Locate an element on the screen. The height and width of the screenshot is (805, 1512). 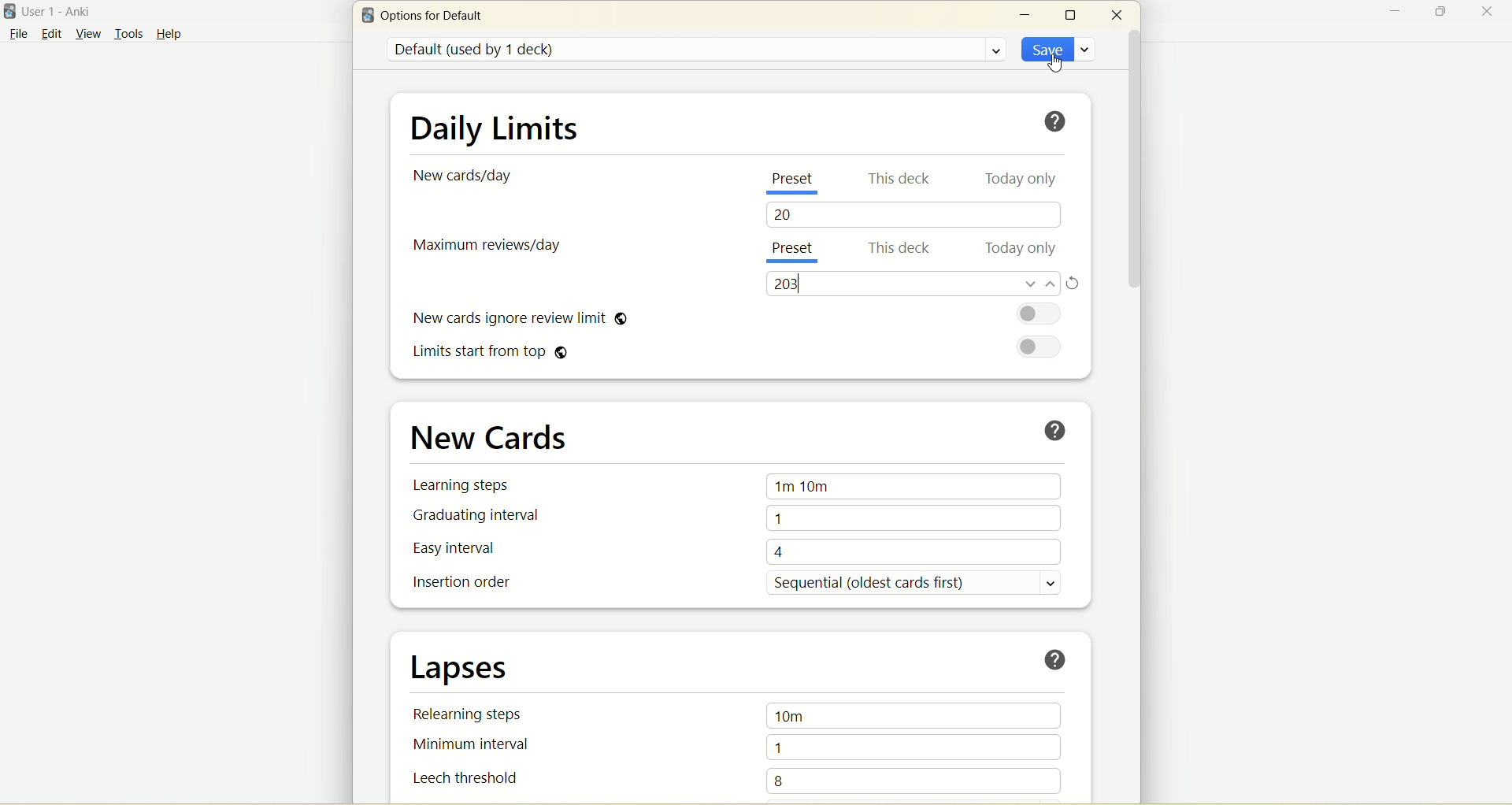
maximize is located at coordinates (1447, 12).